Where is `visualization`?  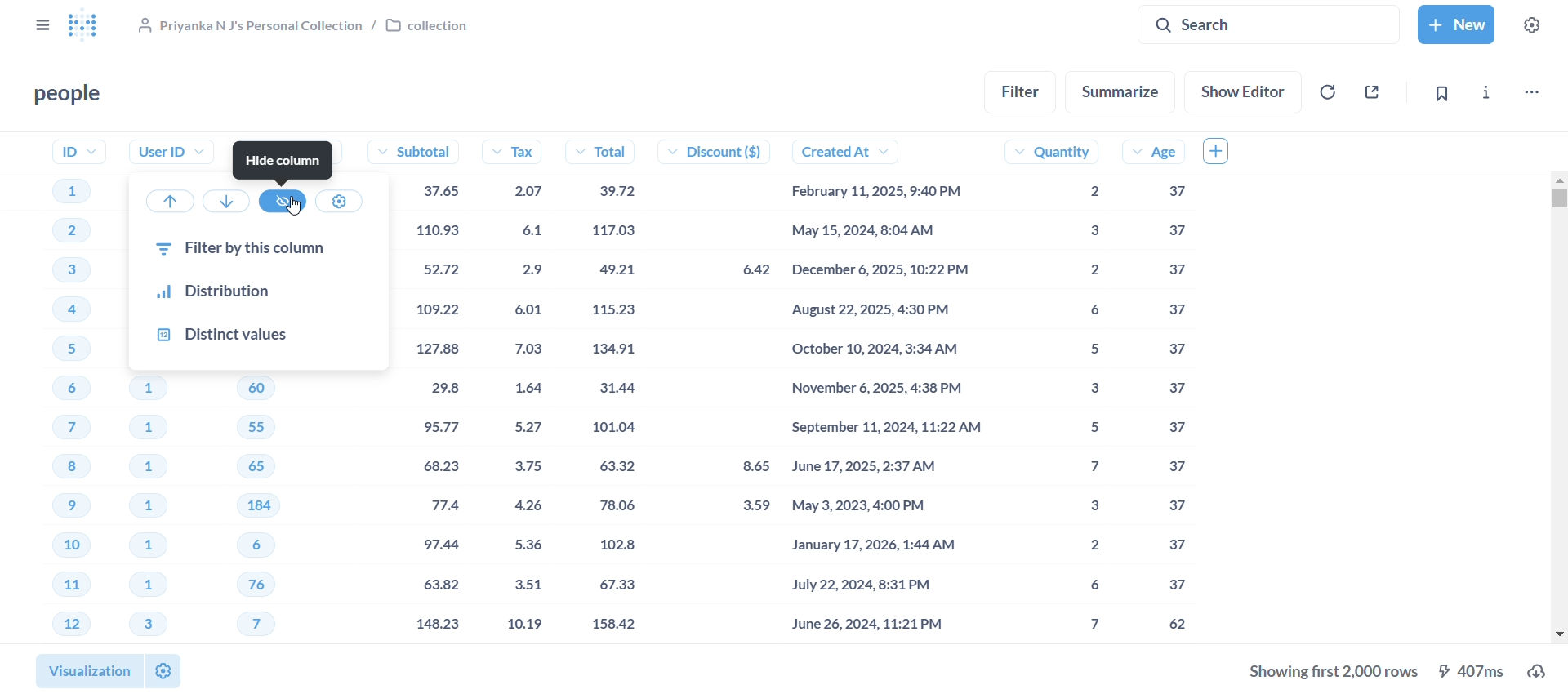
visualization is located at coordinates (84, 671).